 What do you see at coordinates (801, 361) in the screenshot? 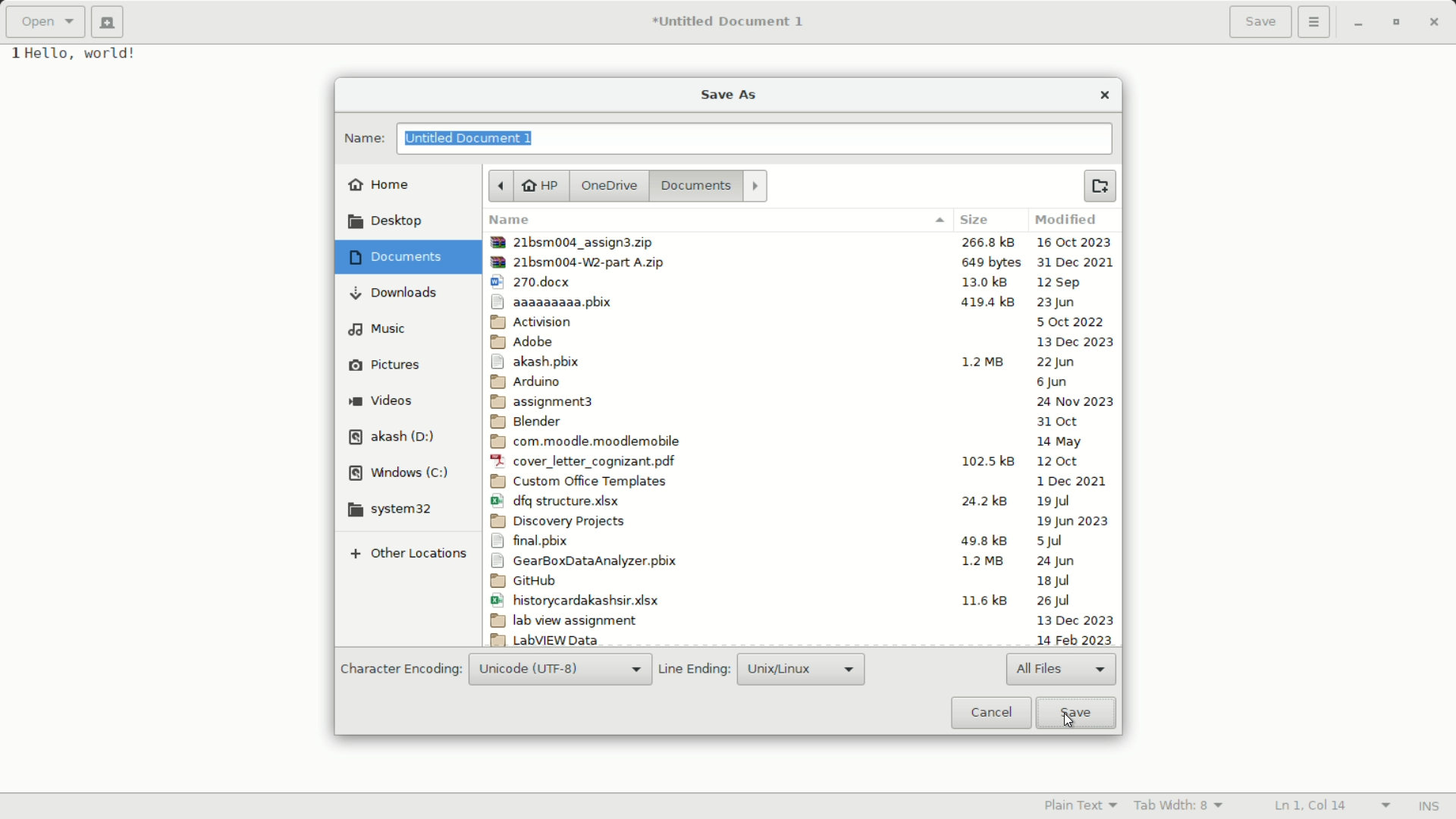
I see `File` at bounding box center [801, 361].